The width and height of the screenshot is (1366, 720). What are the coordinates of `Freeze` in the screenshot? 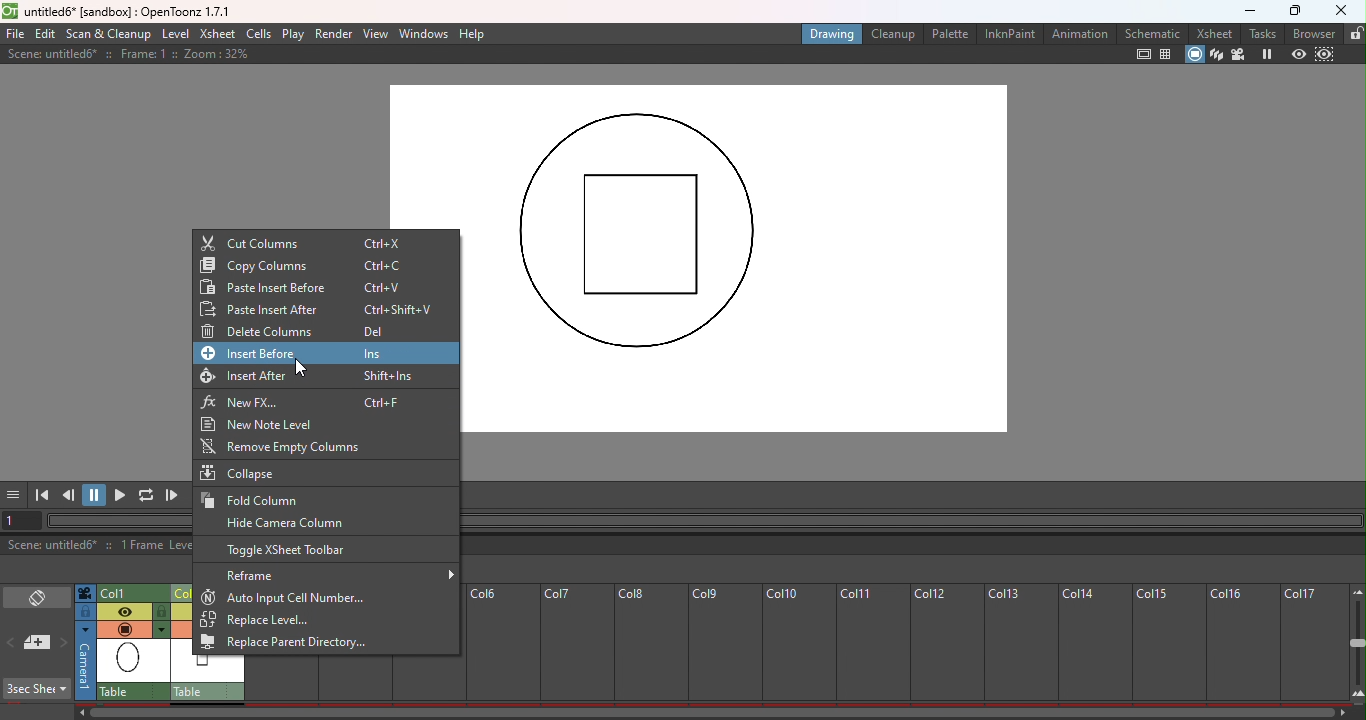 It's located at (1268, 55).